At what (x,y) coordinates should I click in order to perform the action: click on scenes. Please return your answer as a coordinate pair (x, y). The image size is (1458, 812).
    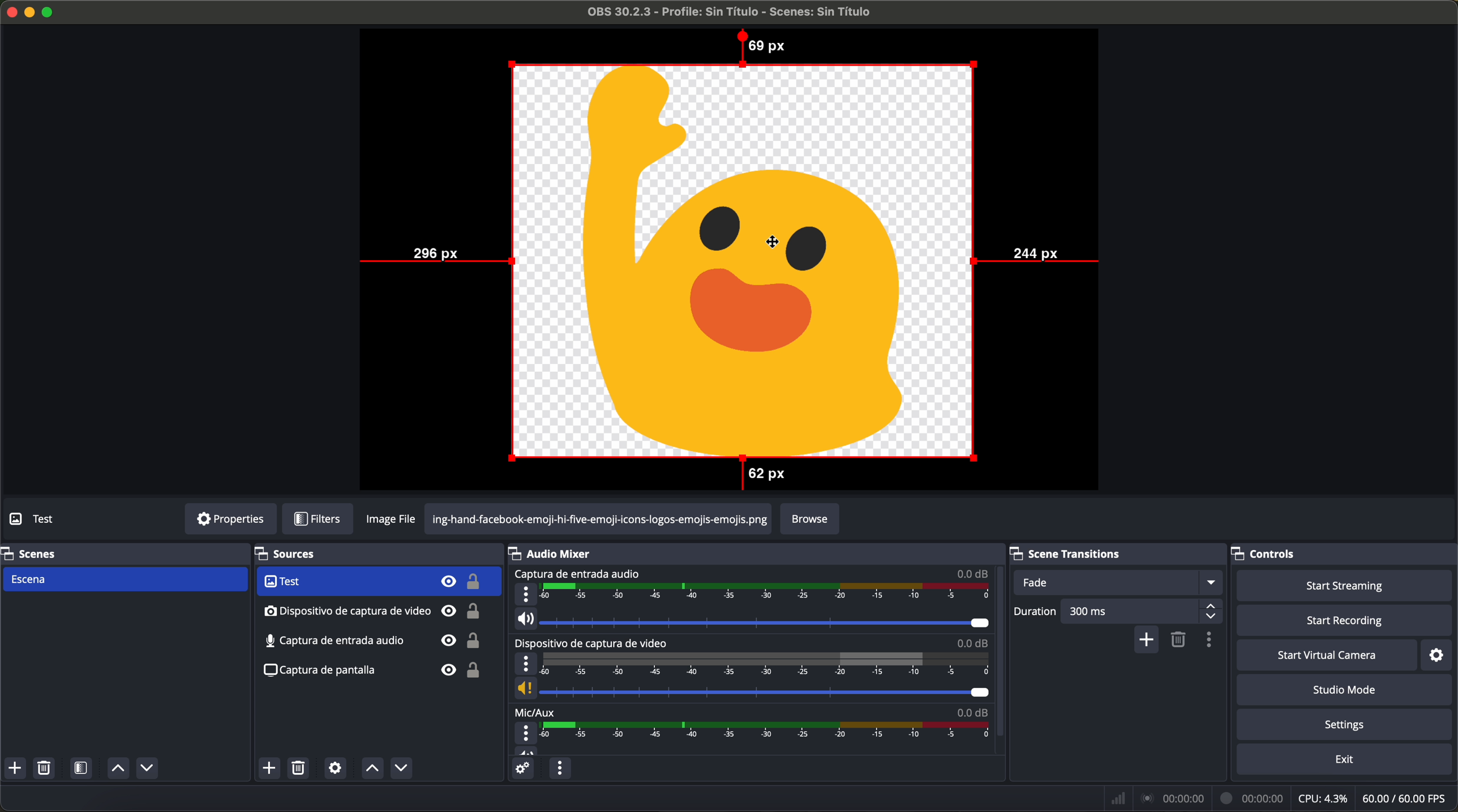
    Looking at the image, I should click on (31, 553).